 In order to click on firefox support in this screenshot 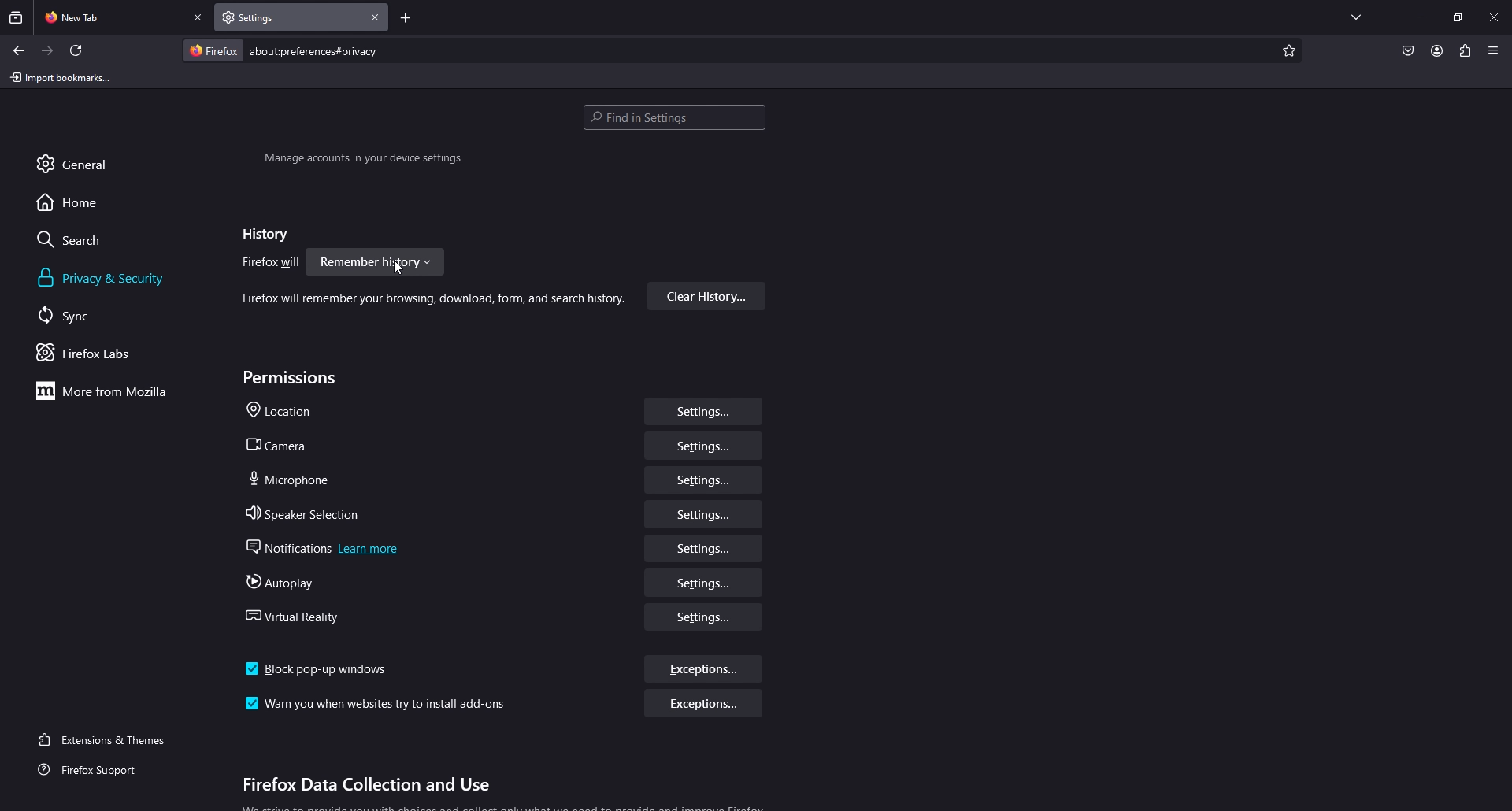, I will do `click(102, 771)`.